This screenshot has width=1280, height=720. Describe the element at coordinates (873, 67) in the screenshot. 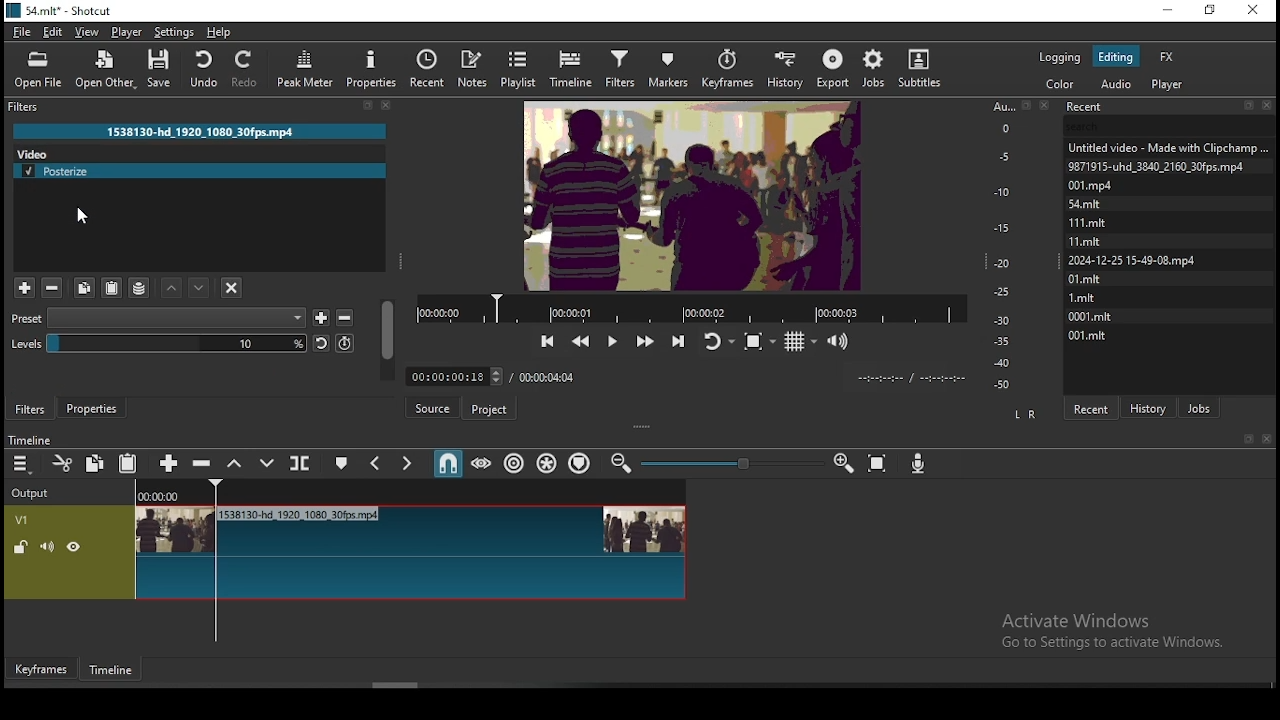

I see `jobs` at that location.